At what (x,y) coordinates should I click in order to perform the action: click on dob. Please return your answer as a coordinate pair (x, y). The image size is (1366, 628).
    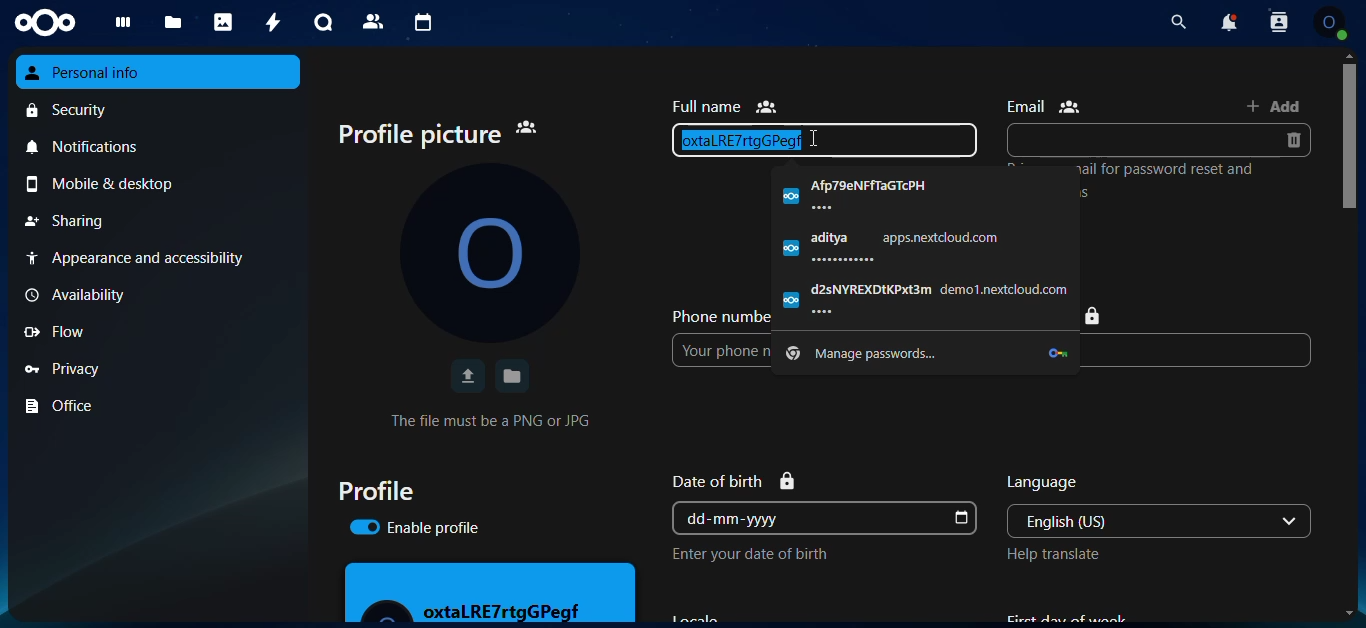
    Looking at the image, I should click on (959, 519).